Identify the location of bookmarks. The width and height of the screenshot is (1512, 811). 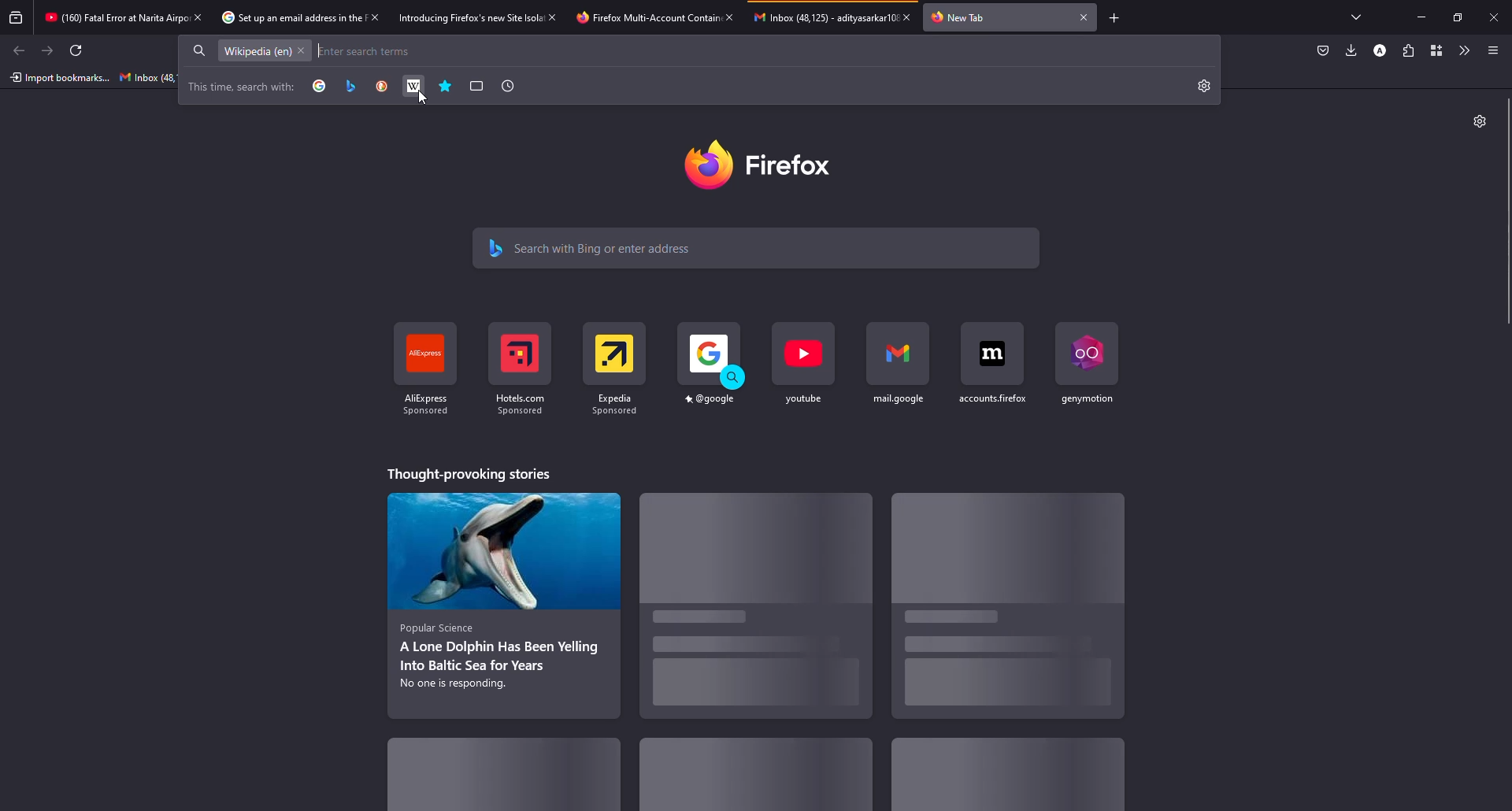
(447, 87).